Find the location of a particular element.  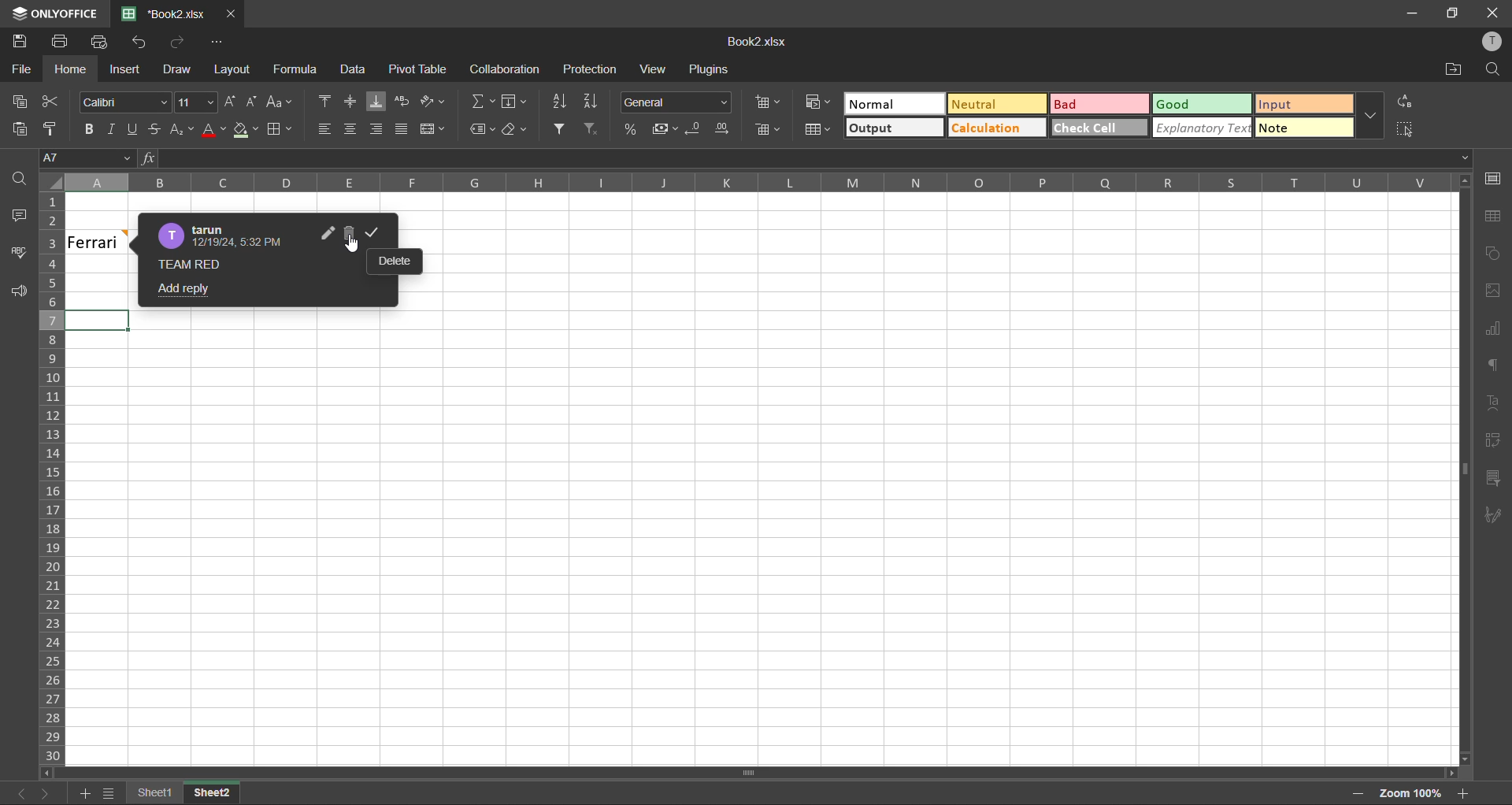

more options is located at coordinates (1369, 115).